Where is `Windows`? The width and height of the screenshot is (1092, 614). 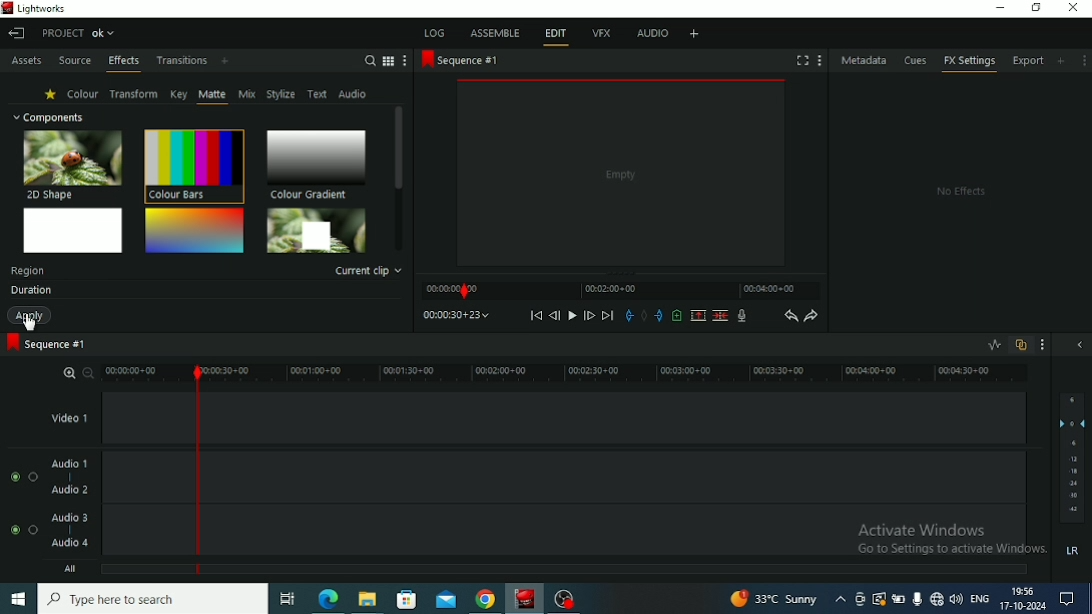 Windows is located at coordinates (18, 600).